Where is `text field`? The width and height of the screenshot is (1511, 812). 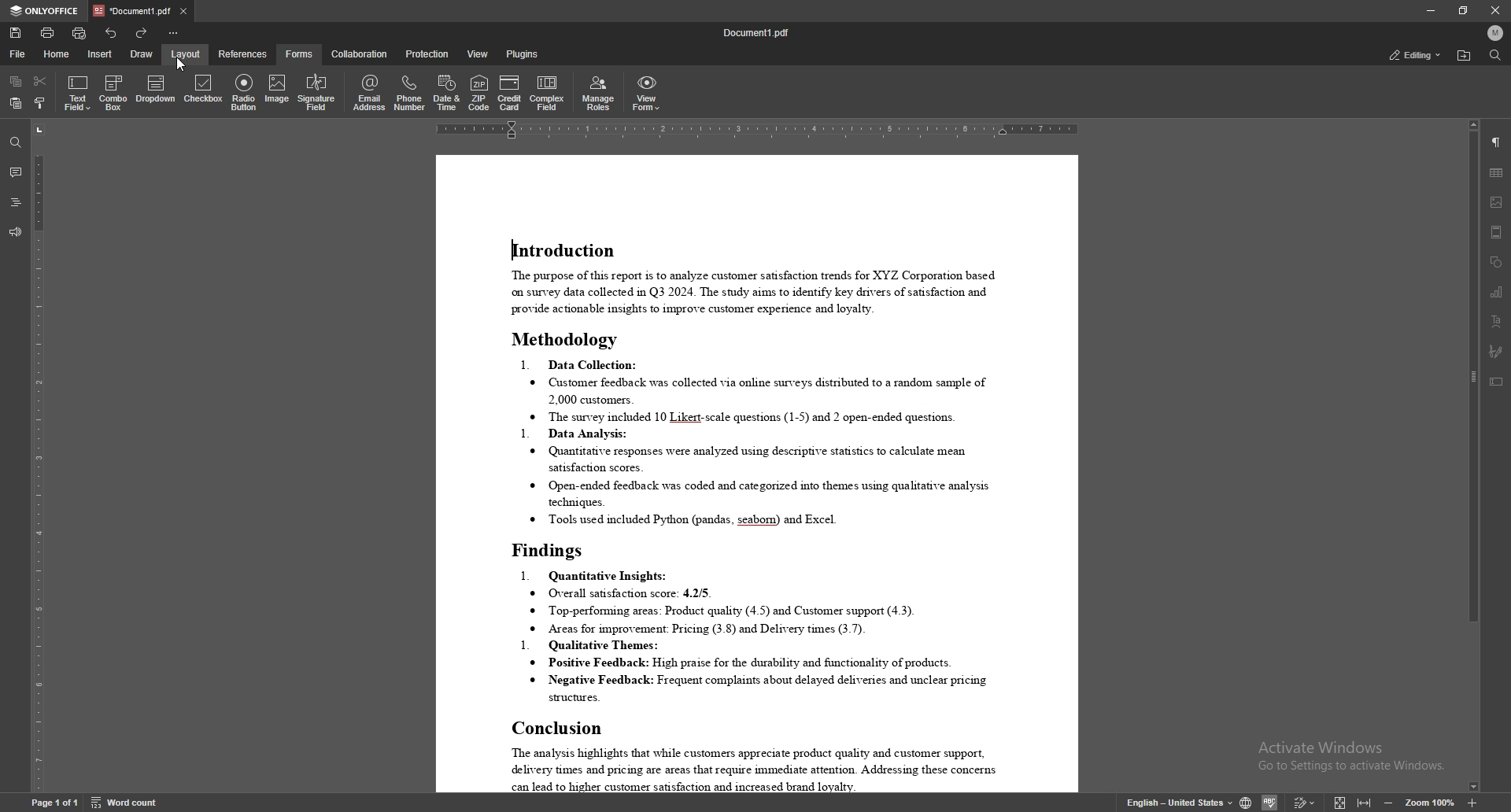
text field is located at coordinates (77, 92).